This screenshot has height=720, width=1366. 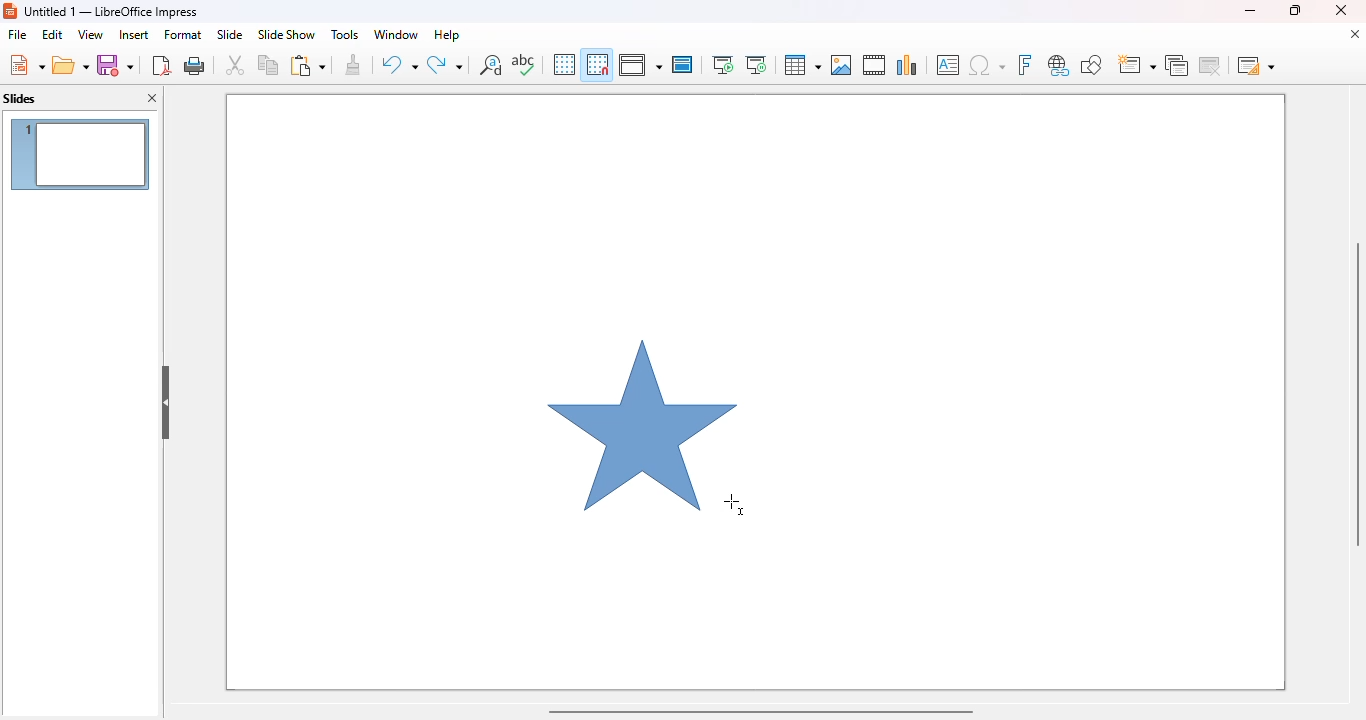 I want to click on spelling, so click(x=523, y=64).